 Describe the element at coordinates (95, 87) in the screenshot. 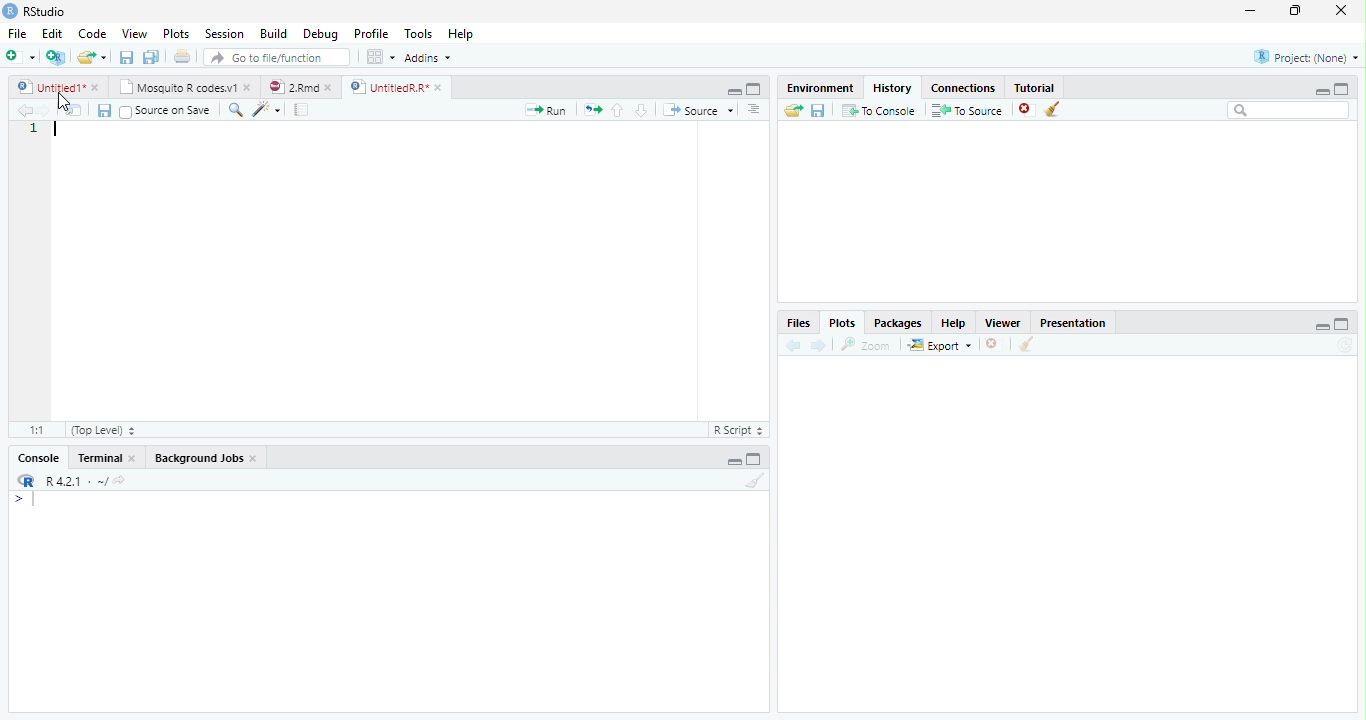

I see `close` at that location.